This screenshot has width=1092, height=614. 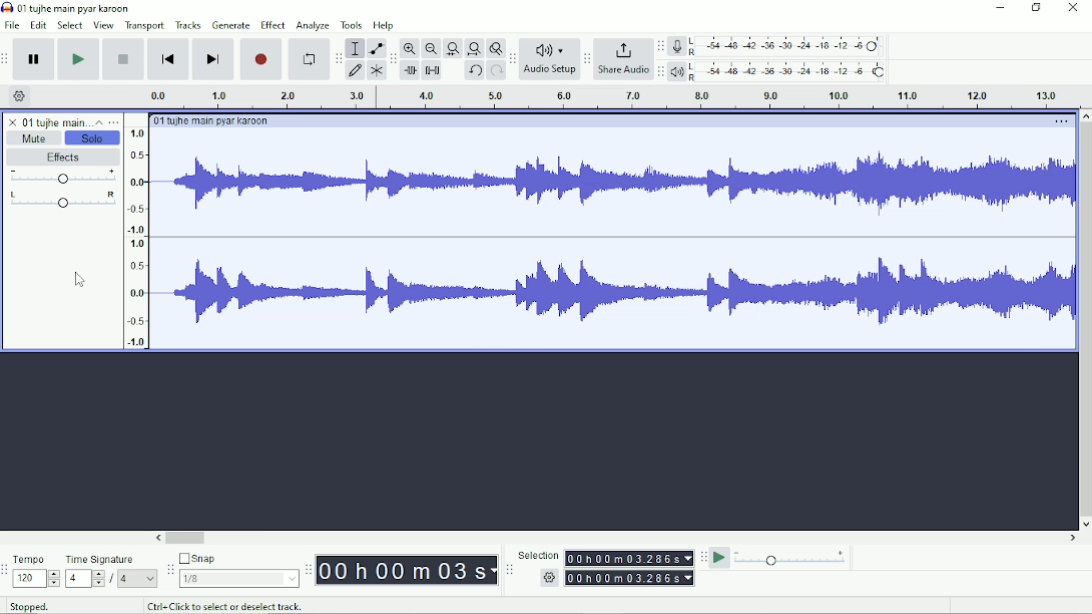 I want to click on Zoom Out, so click(x=429, y=48).